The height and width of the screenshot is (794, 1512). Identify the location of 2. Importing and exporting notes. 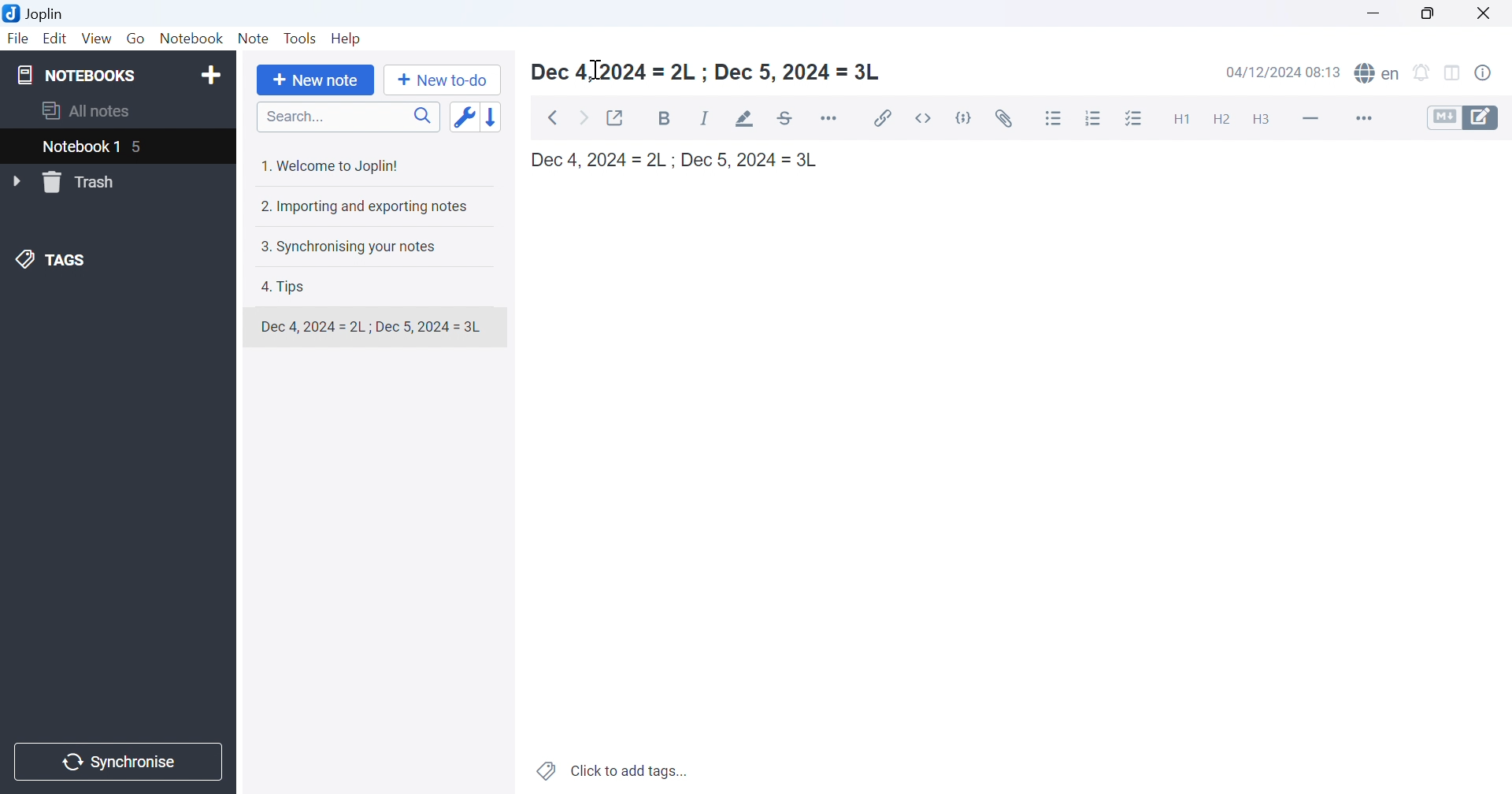
(367, 206).